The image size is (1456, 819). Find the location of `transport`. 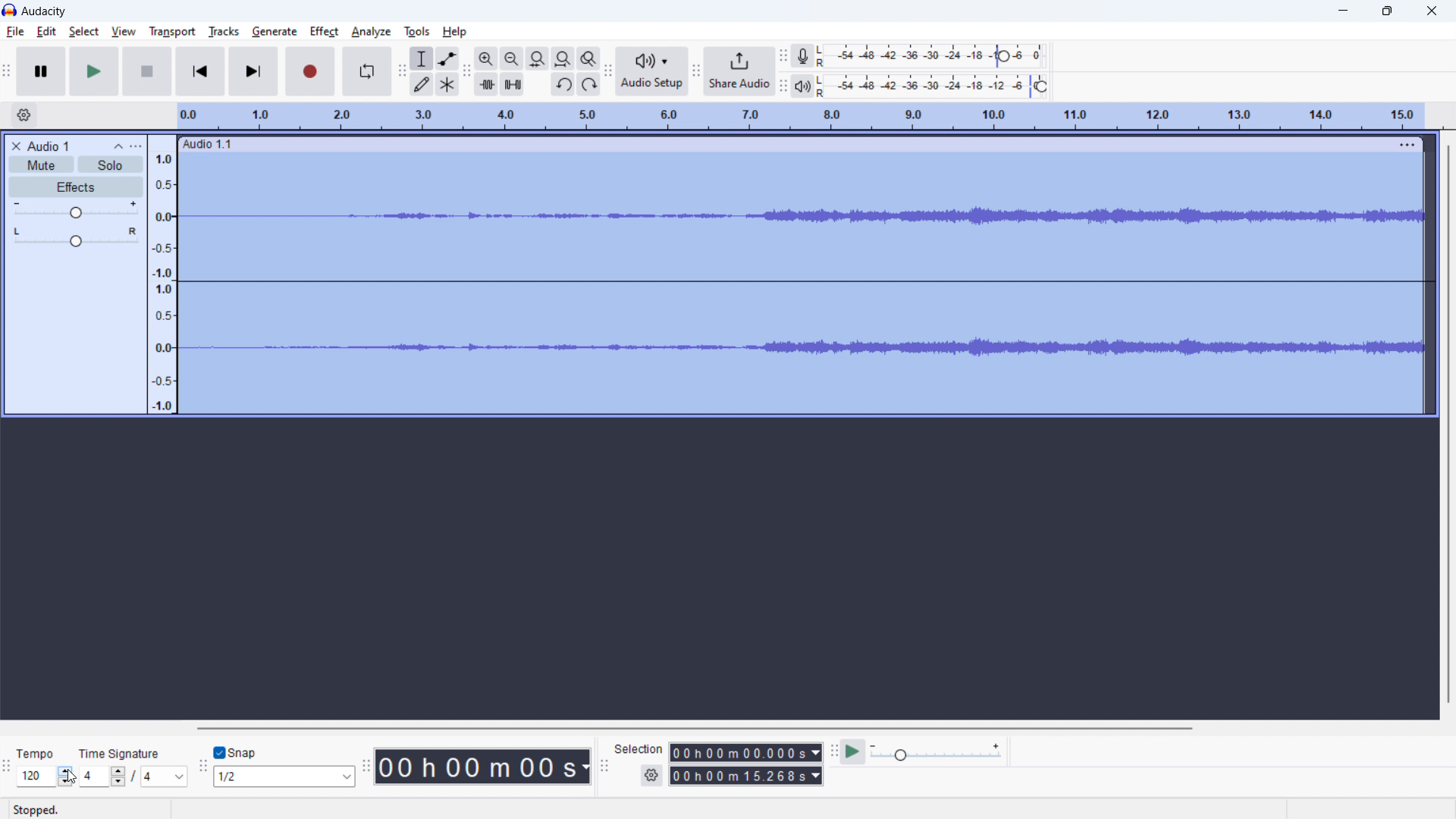

transport is located at coordinates (171, 31).